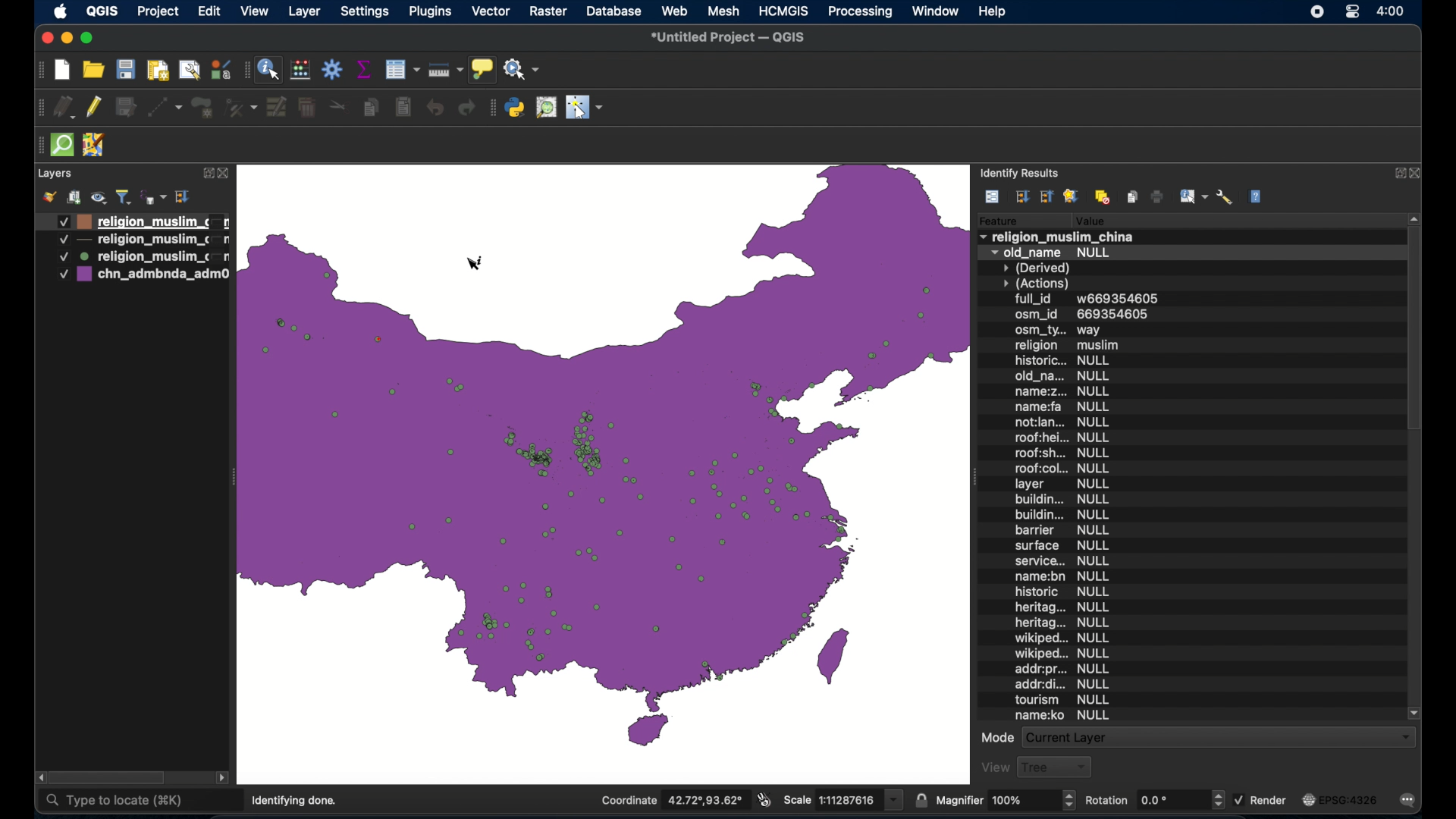 The width and height of the screenshot is (1456, 819). I want to click on current layer, so click(1221, 737).